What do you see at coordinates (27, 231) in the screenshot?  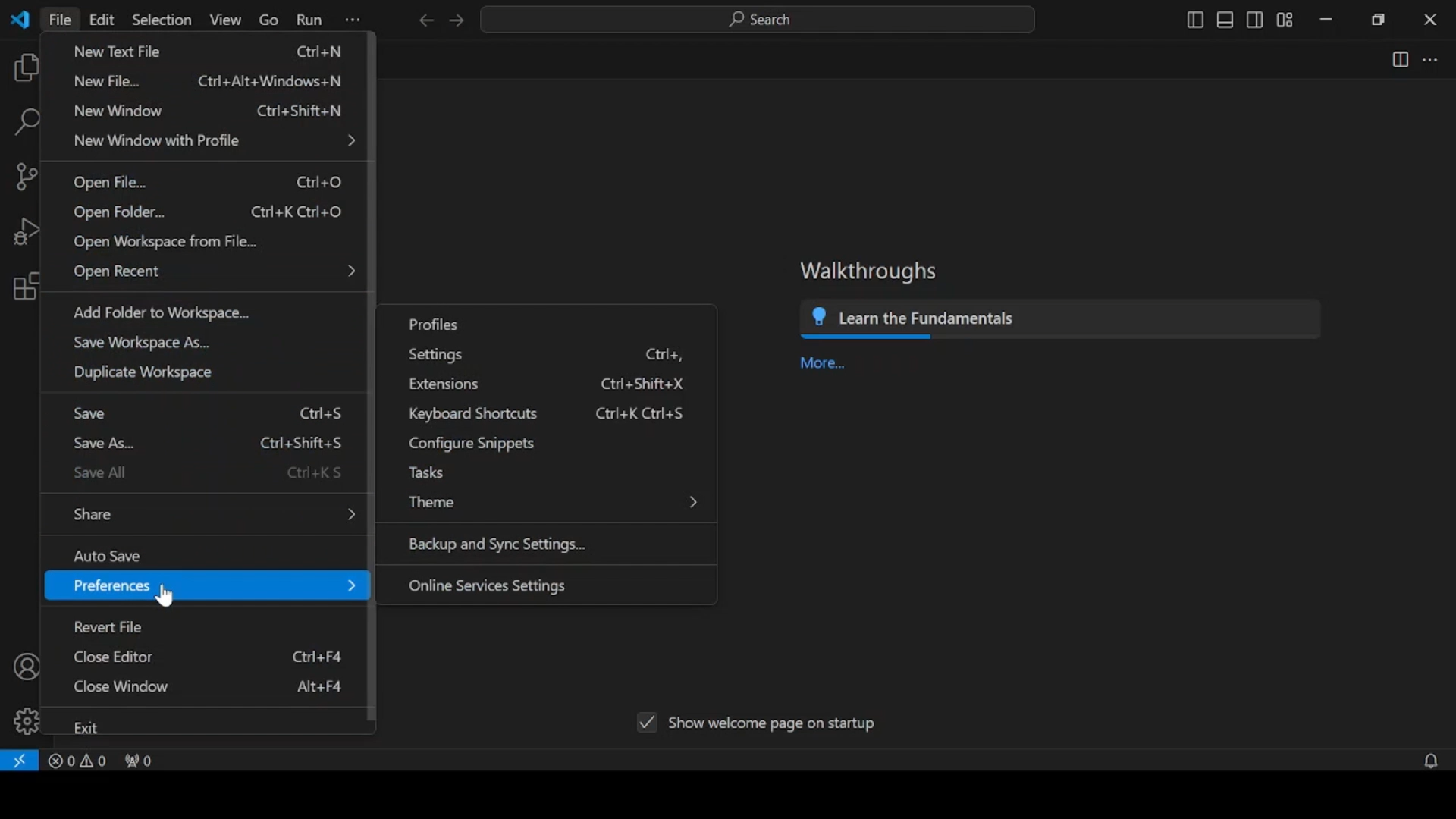 I see `run and debug` at bounding box center [27, 231].